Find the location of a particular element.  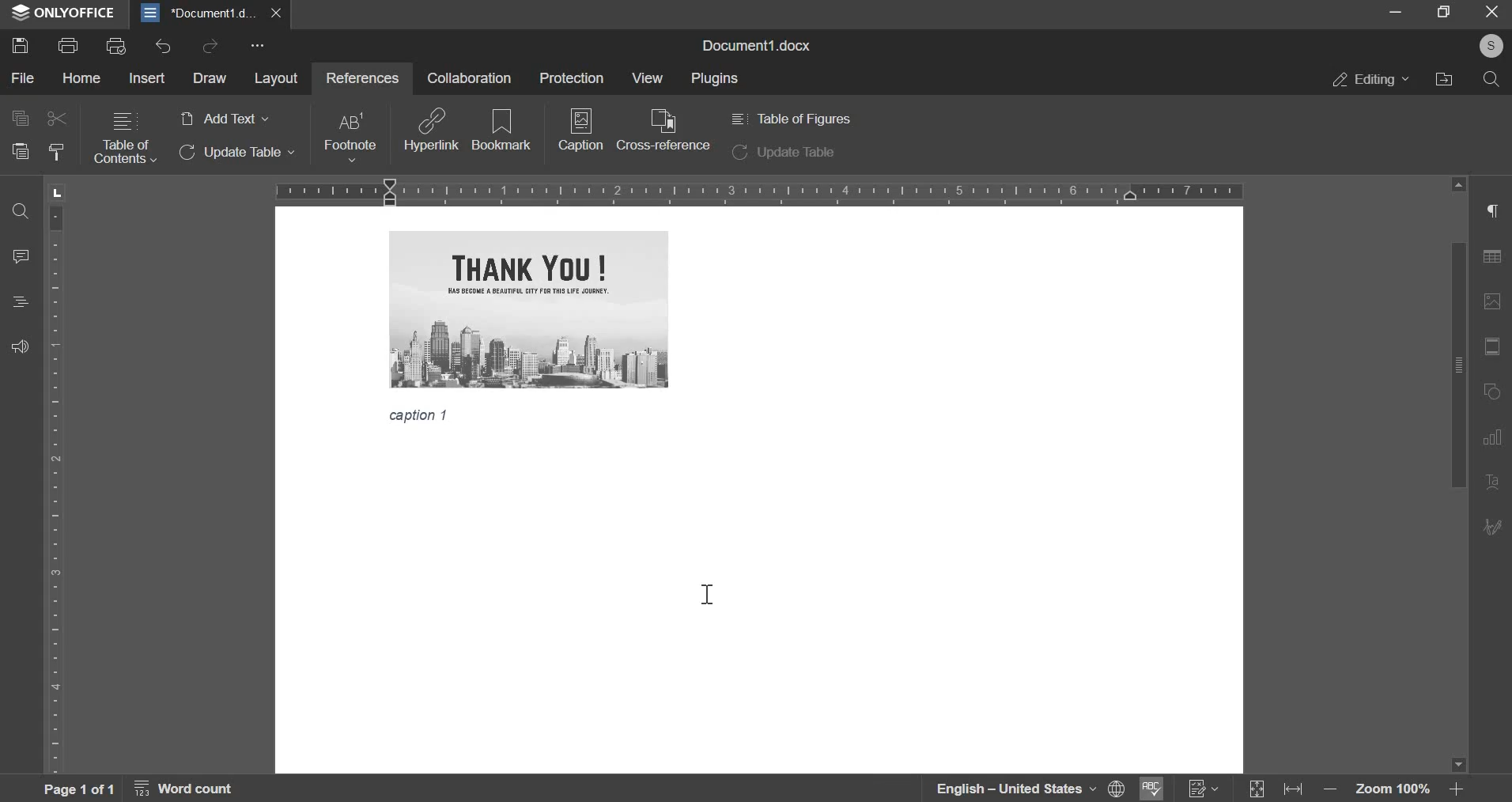

Cursor is located at coordinates (707, 593).